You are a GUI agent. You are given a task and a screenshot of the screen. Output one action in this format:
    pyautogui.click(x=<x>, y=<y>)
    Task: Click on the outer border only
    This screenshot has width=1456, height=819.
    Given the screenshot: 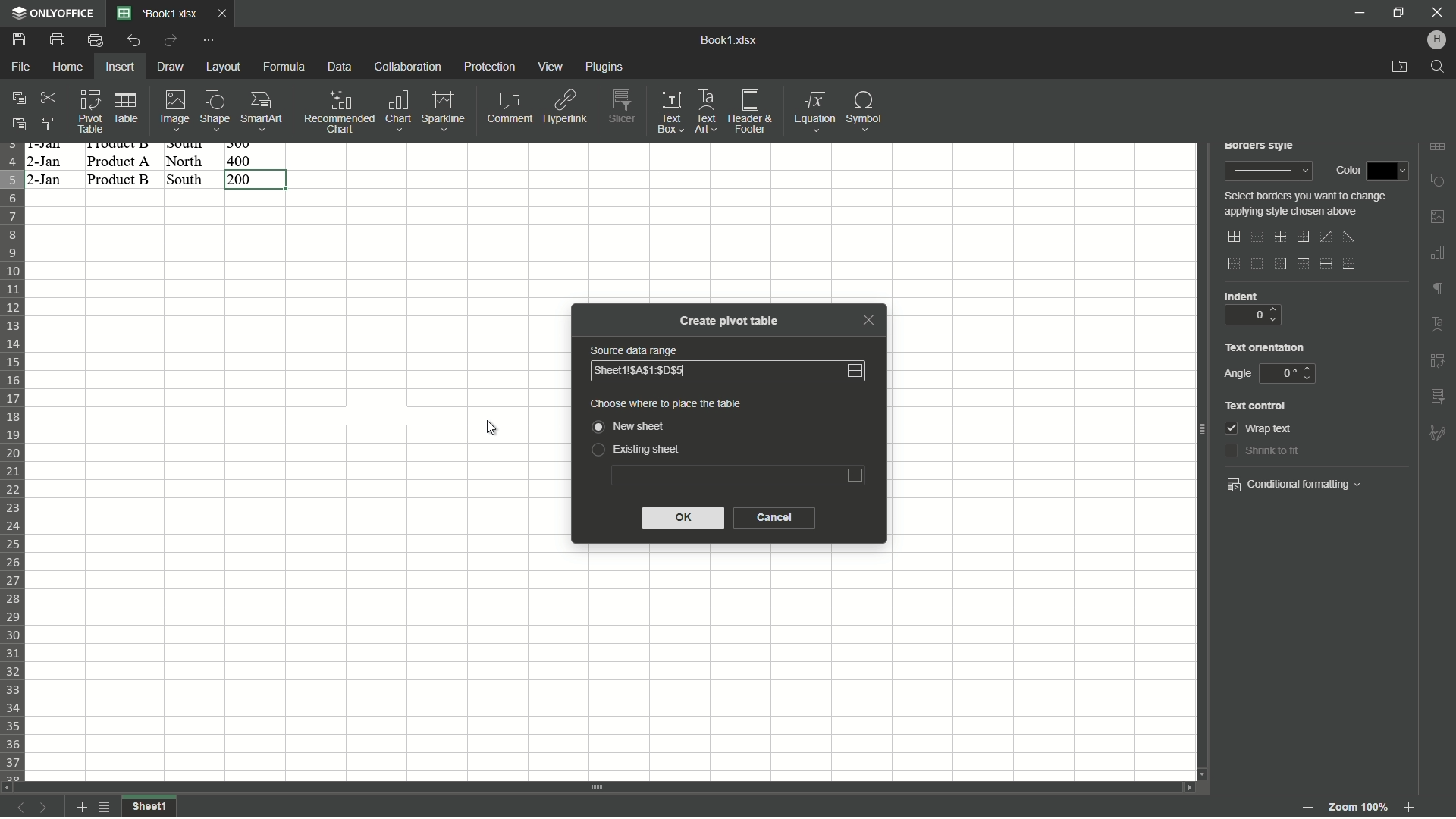 What is the action you would take?
    pyautogui.click(x=1304, y=237)
    